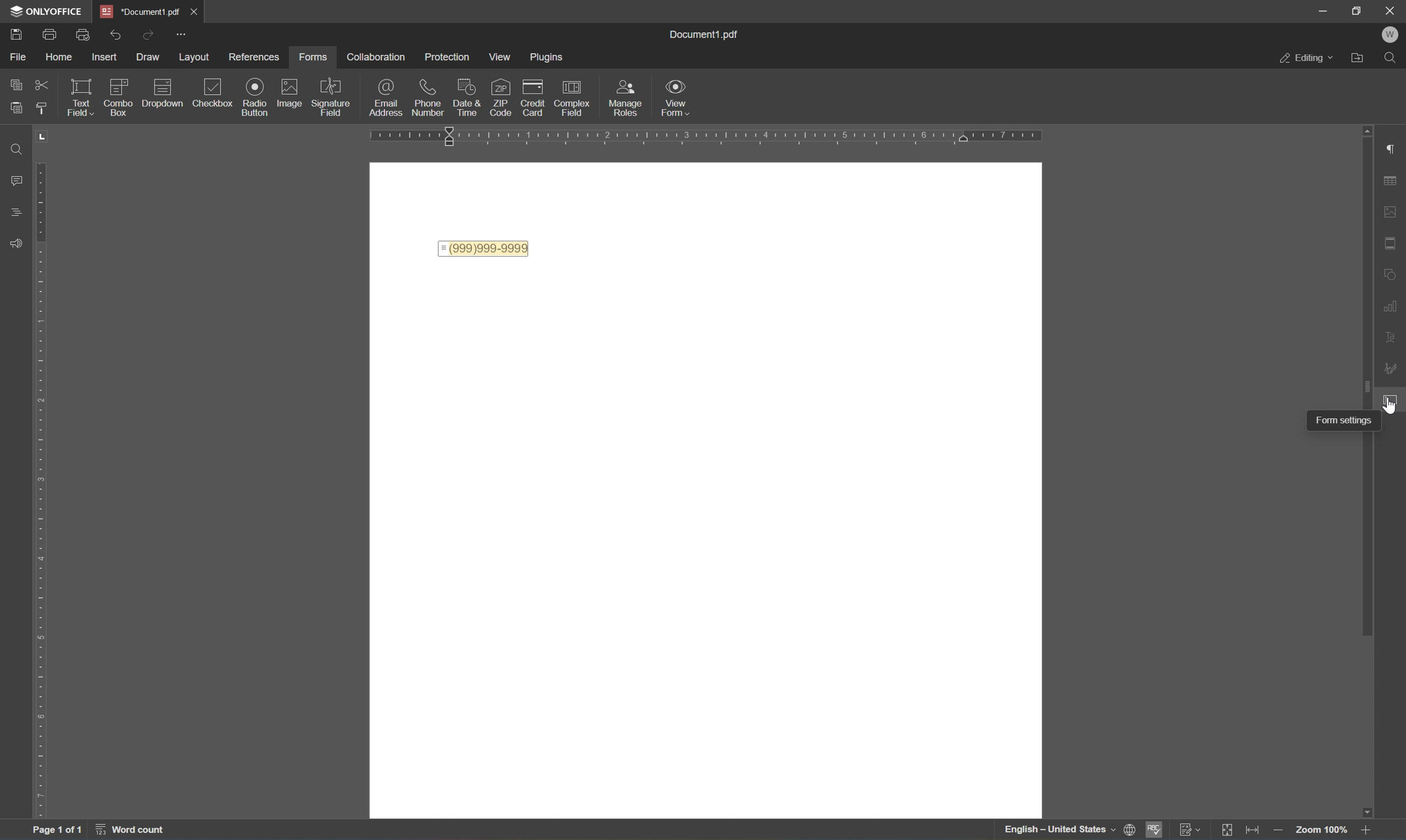  Describe the element at coordinates (1155, 830) in the screenshot. I see `spell checking` at that location.